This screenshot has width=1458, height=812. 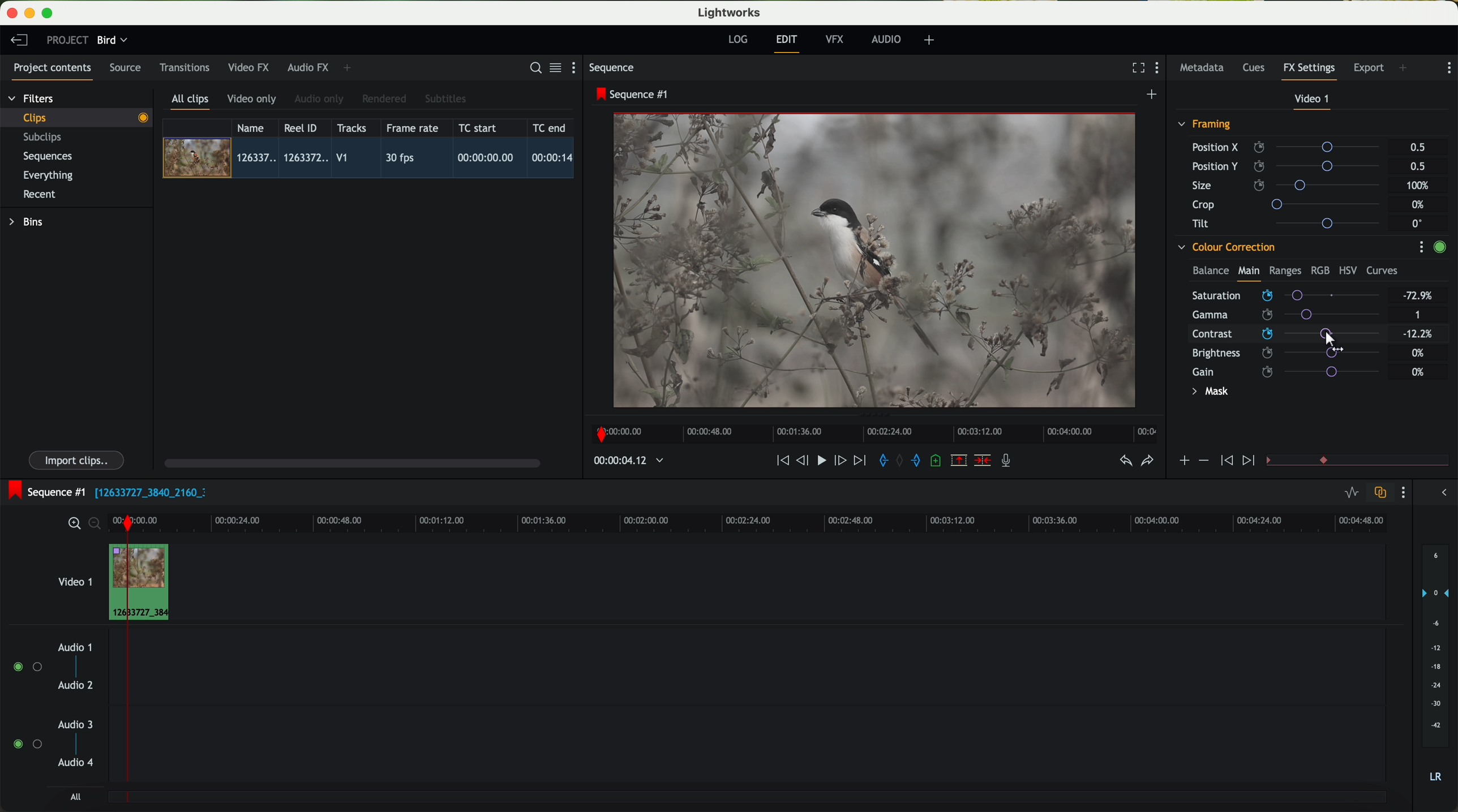 I want to click on audio, so click(x=886, y=39).